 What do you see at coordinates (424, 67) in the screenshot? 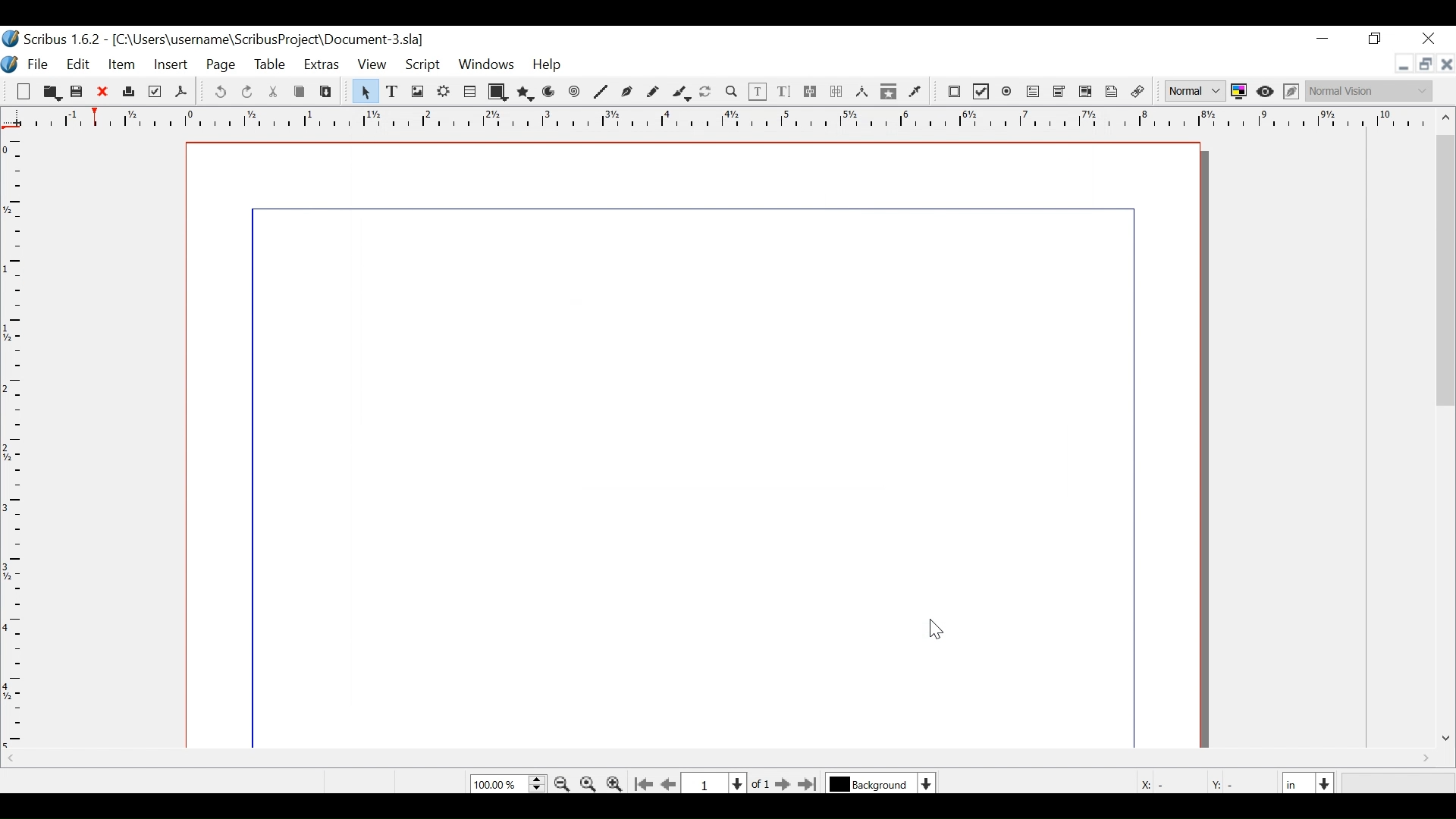
I see `Script` at bounding box center [424, 67].